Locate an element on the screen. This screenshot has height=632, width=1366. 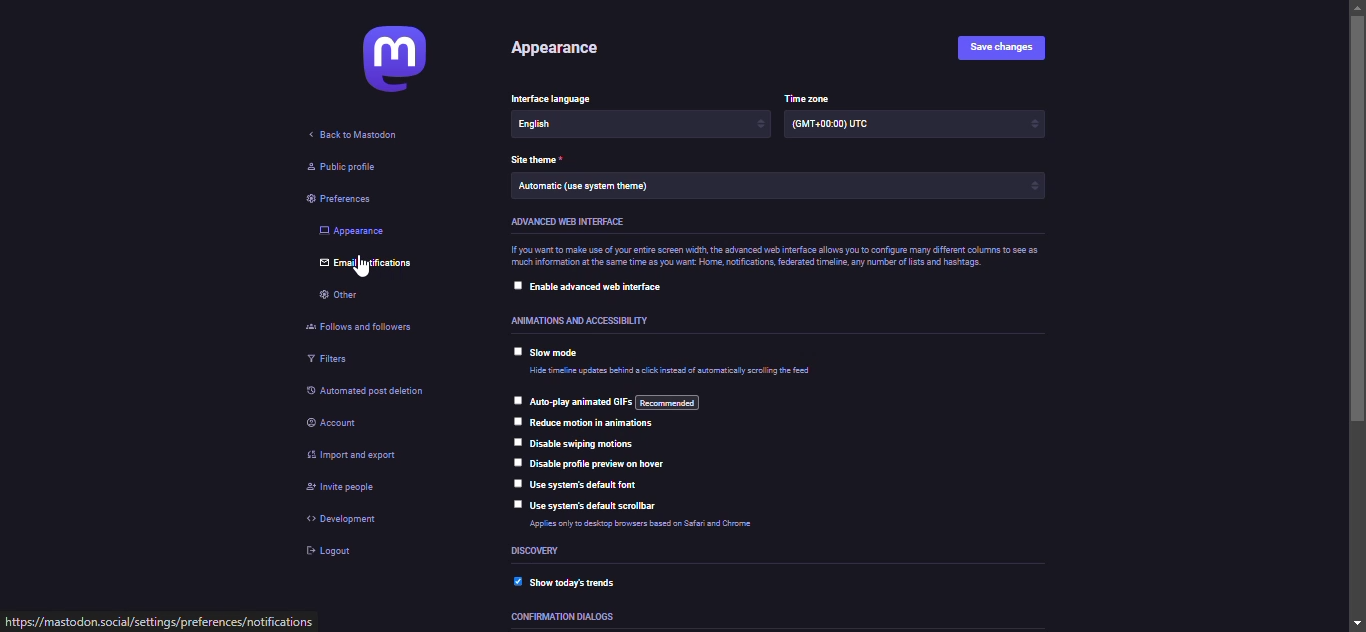
time zone is located at coordinates (914, 124).